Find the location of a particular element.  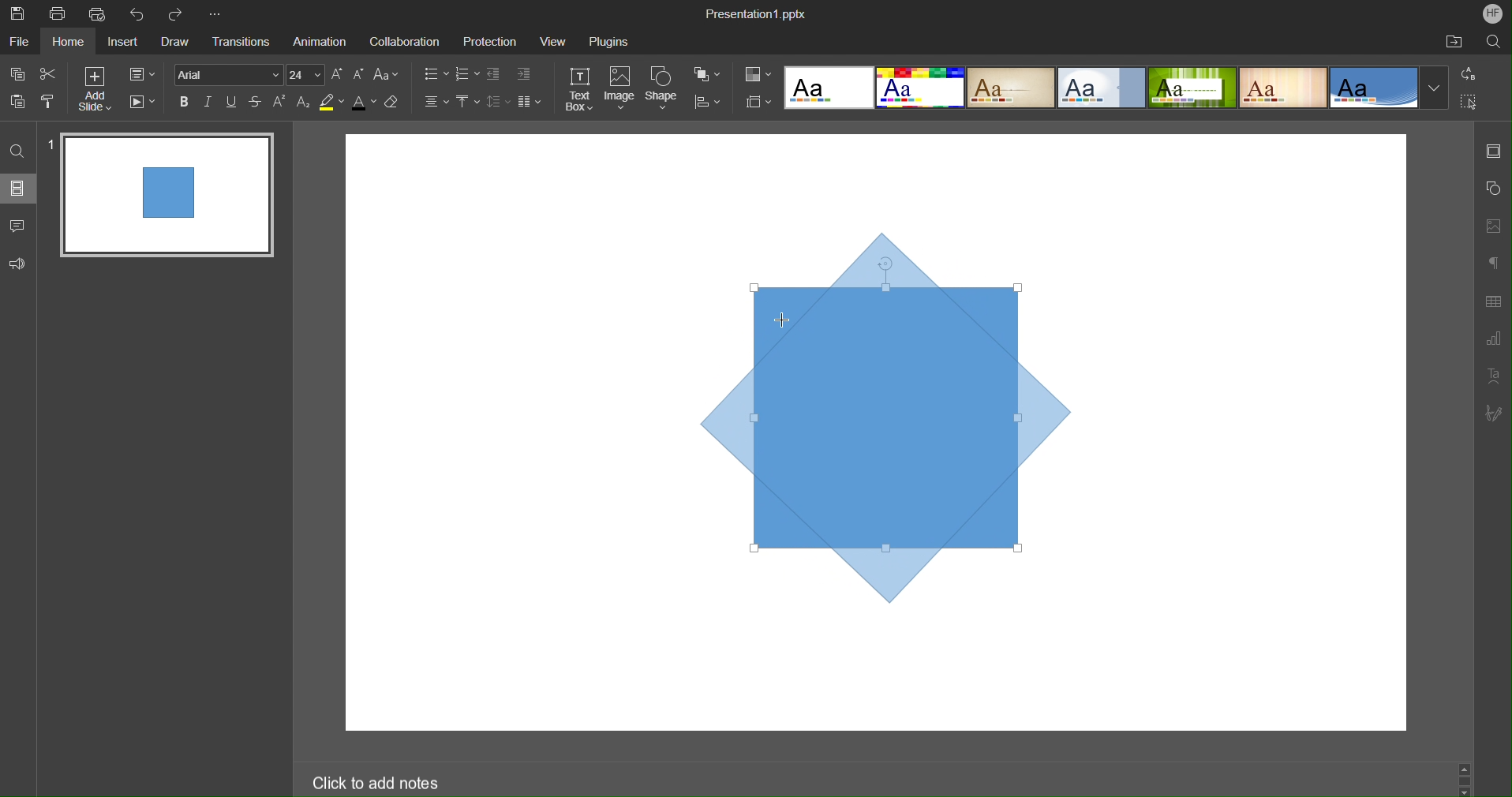

Bullet List is located at coordinates (432, 75).